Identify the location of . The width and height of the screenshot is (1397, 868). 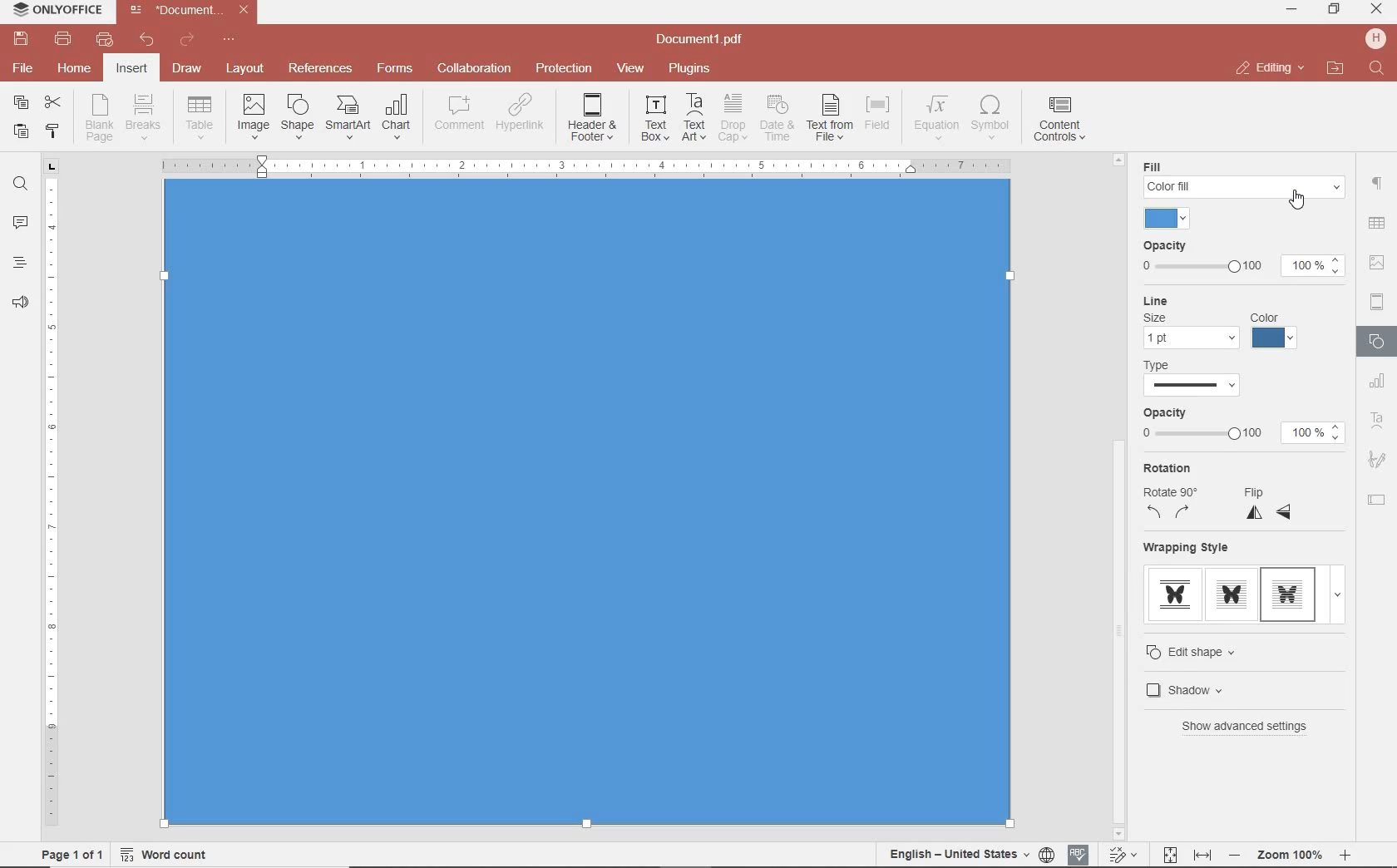
(1290, 856).